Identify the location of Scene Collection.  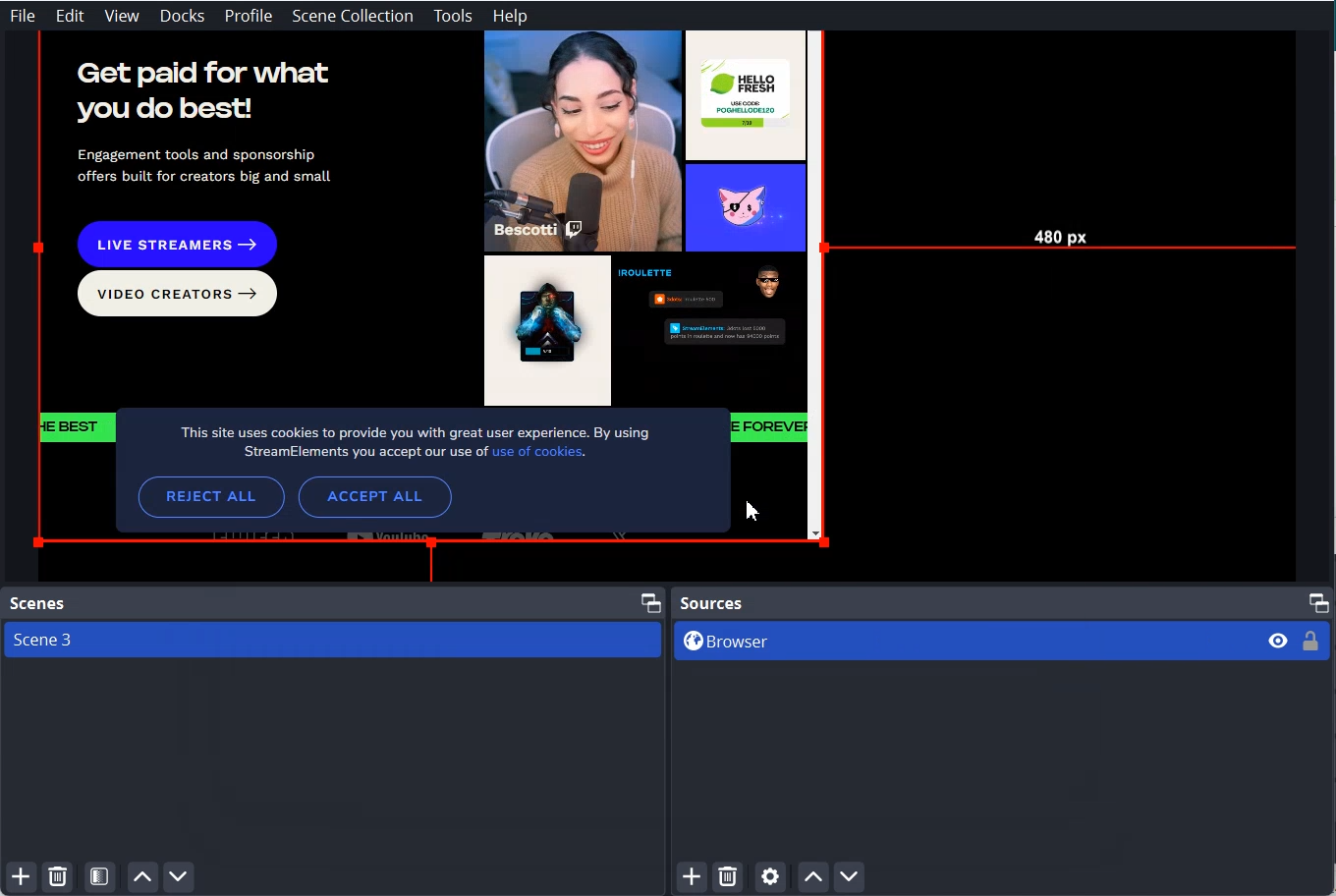
(354, 16).